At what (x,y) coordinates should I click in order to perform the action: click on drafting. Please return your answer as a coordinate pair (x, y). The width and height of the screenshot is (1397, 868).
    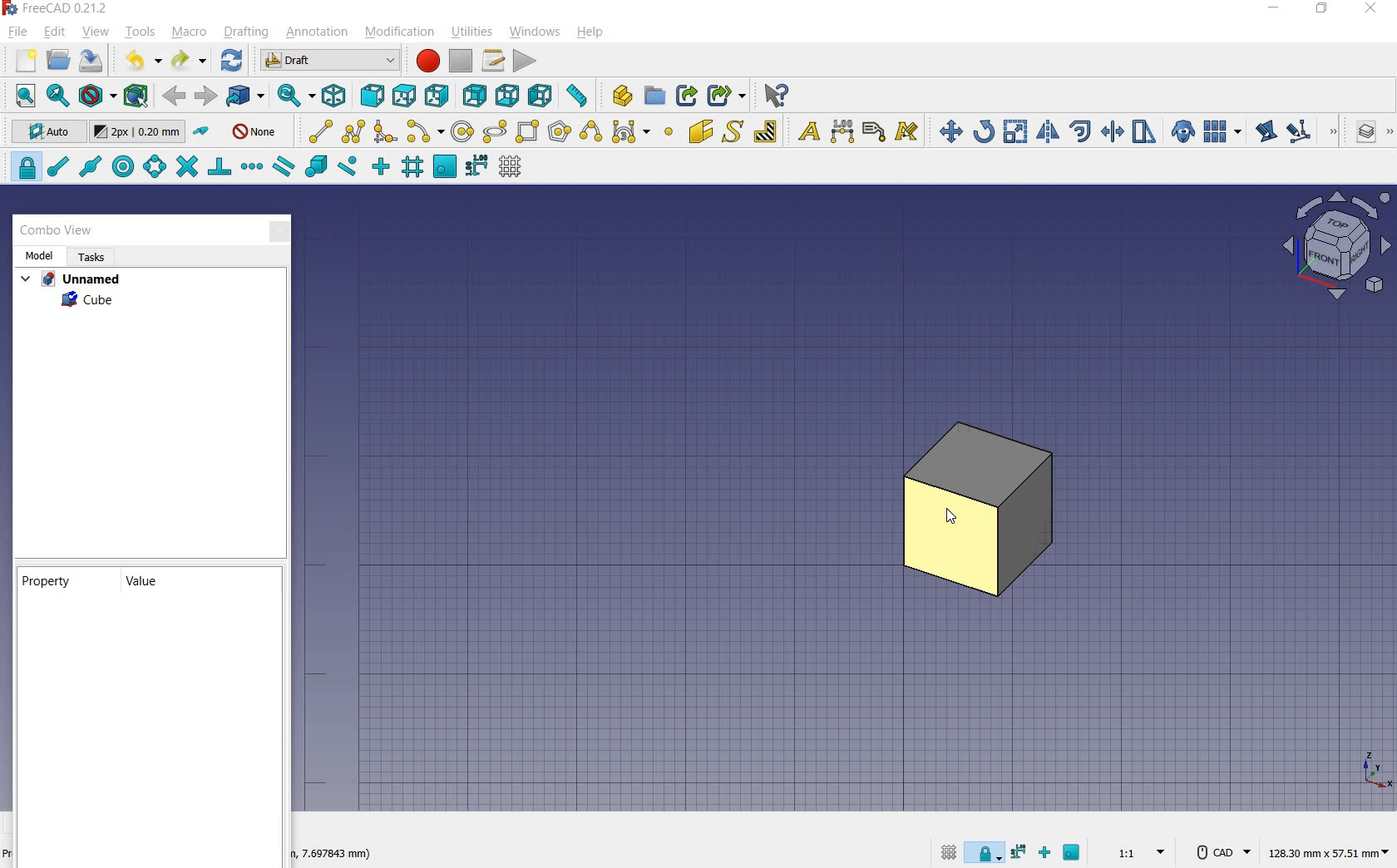
    Looking at the image, I should click on (246, 32).